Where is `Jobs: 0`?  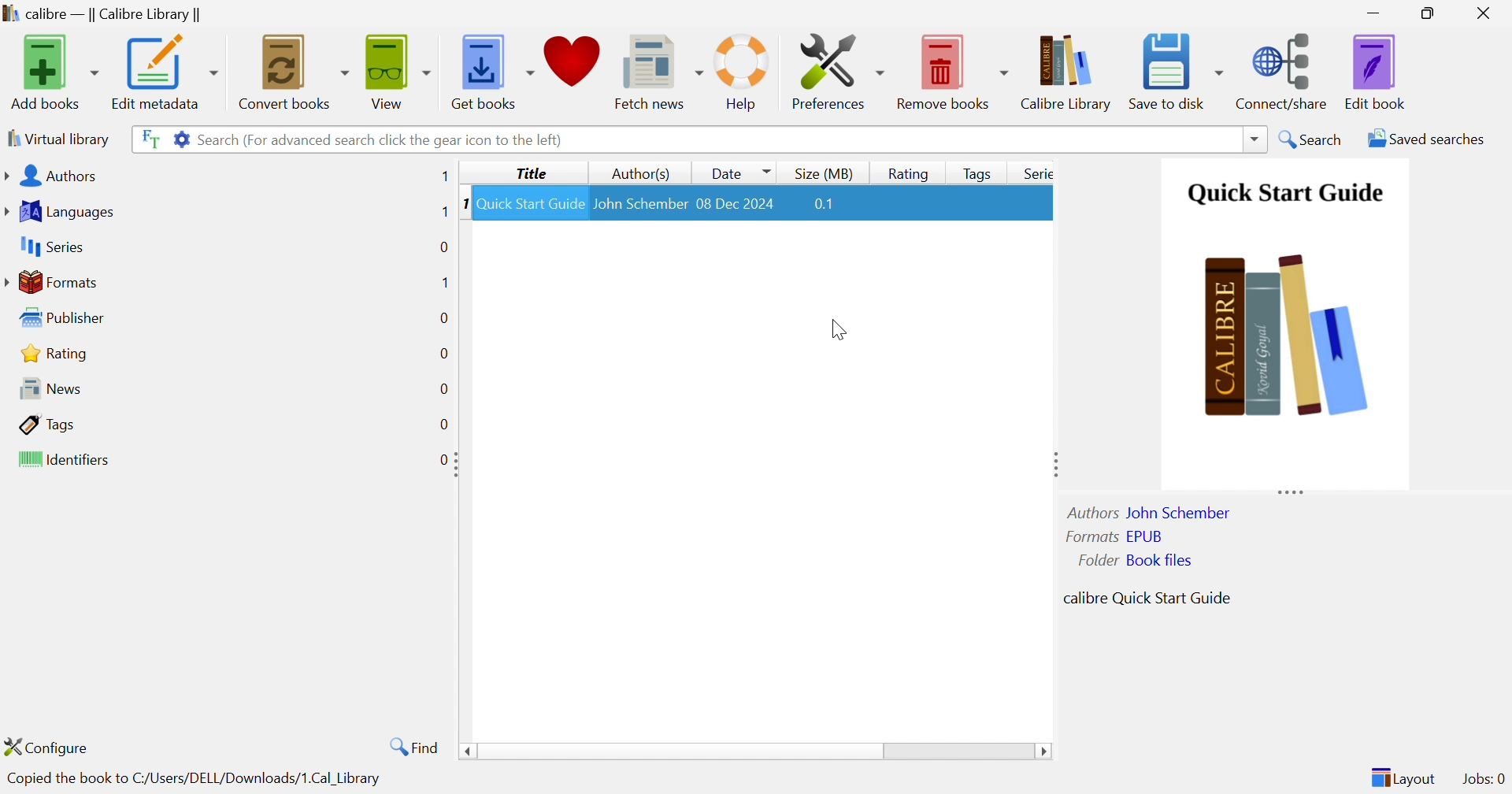
Jobs: 0 is located at coordinates (1482, 779).